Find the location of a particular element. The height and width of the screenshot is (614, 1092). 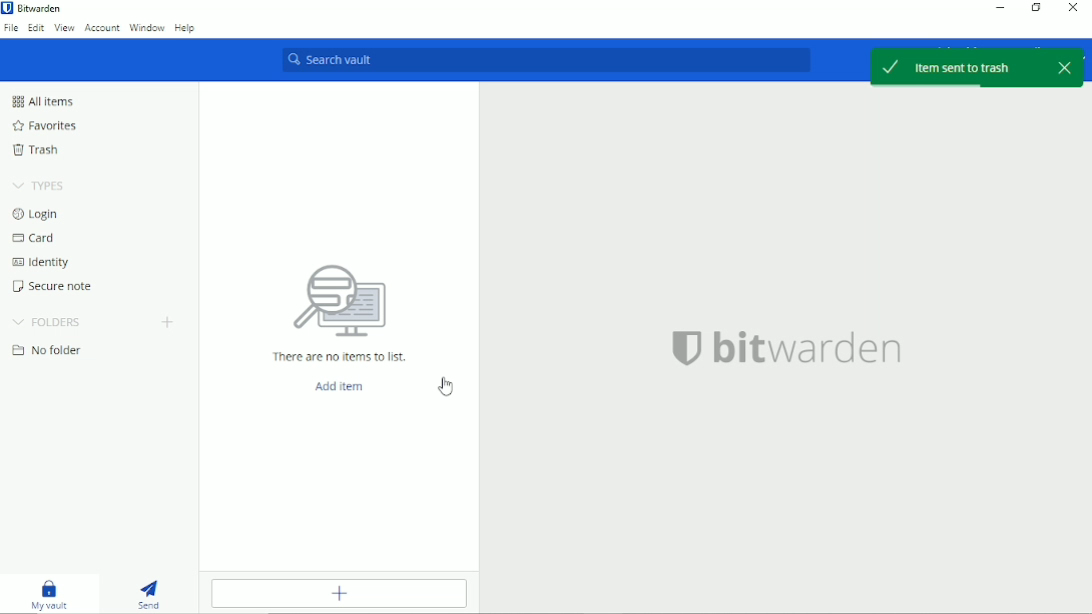

Trash is located at coordinates (39, 152).